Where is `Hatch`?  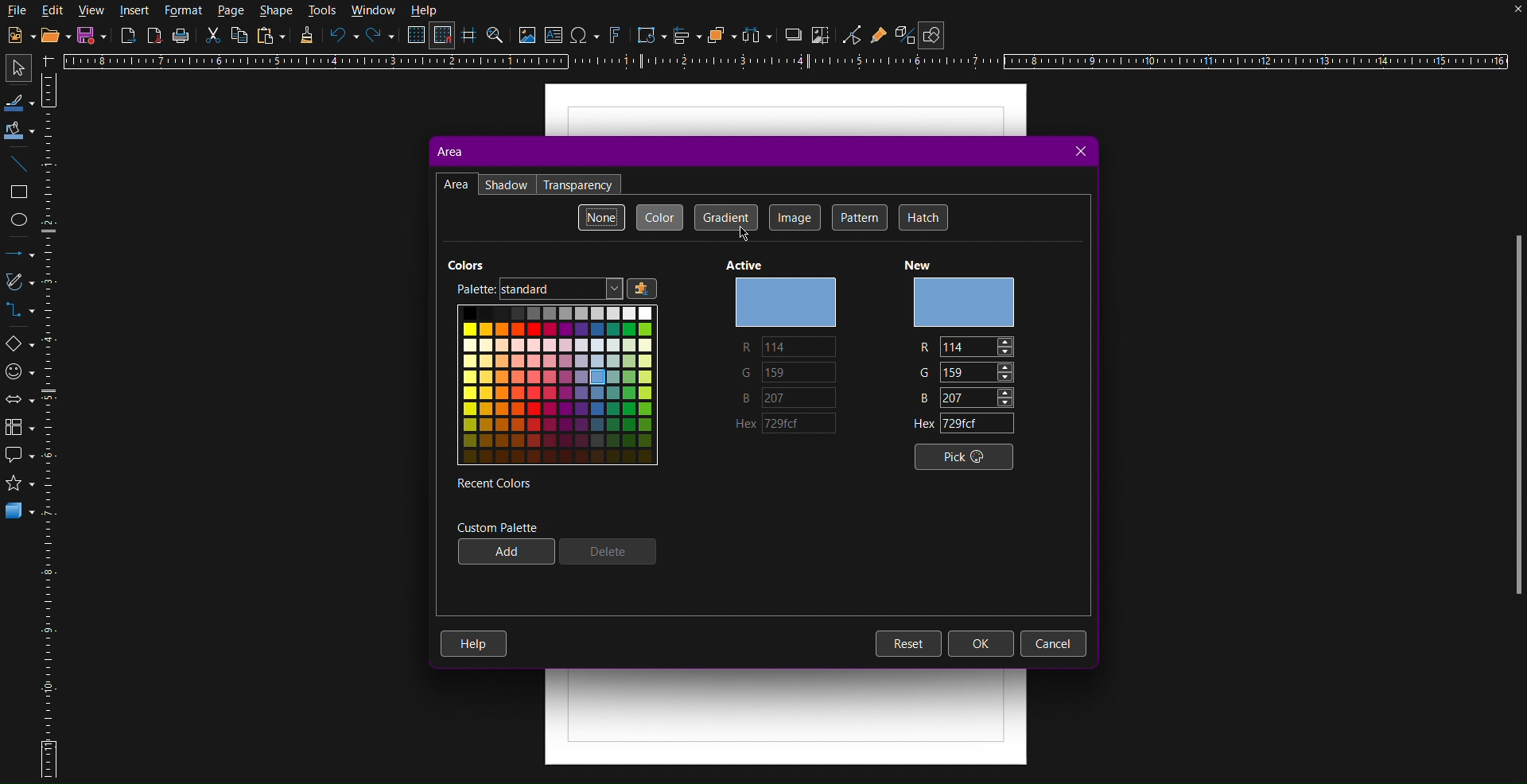 Hatch is located at coordinates (921, 216).